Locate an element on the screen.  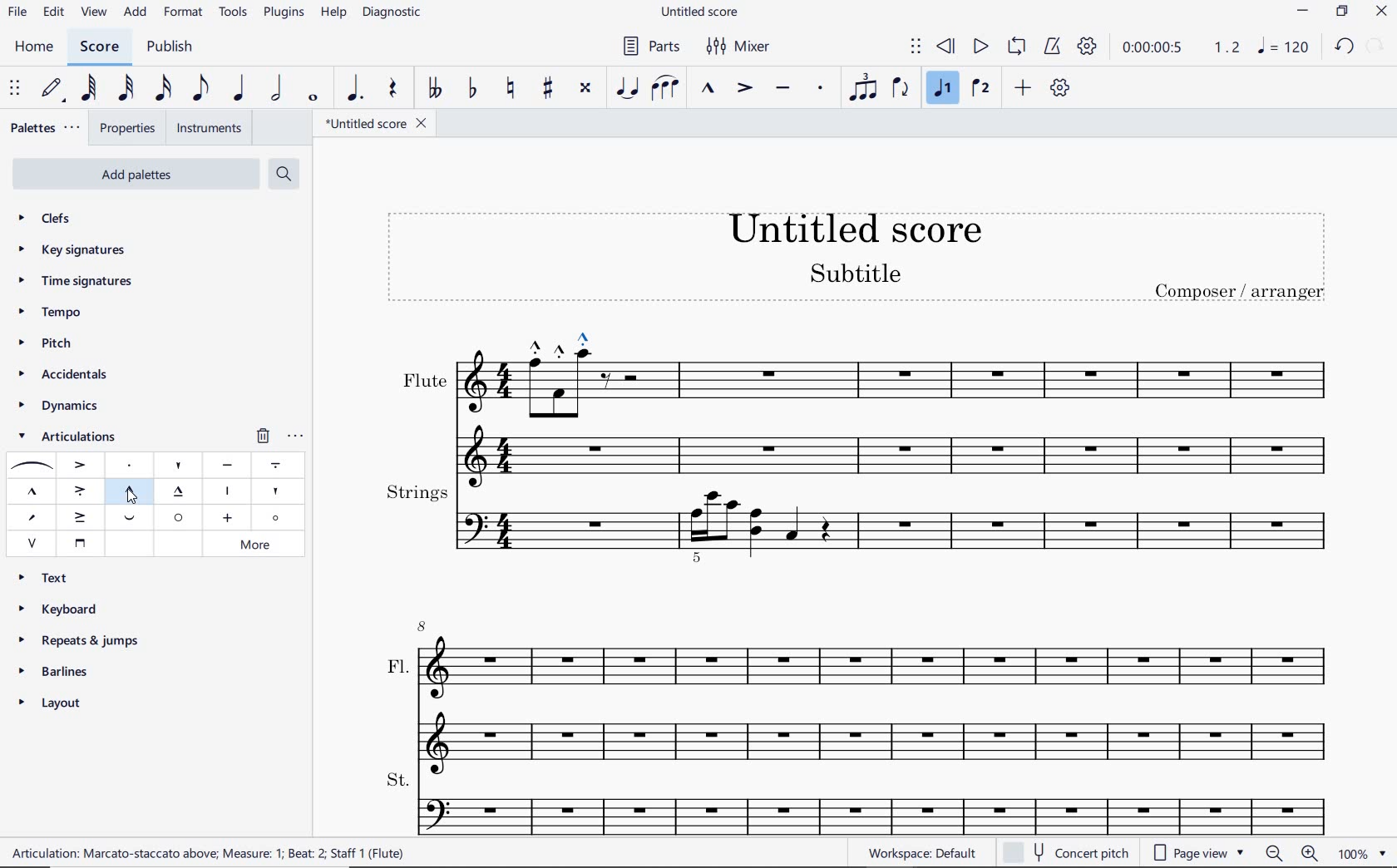
search palettes is located at coordinates (284, 173).